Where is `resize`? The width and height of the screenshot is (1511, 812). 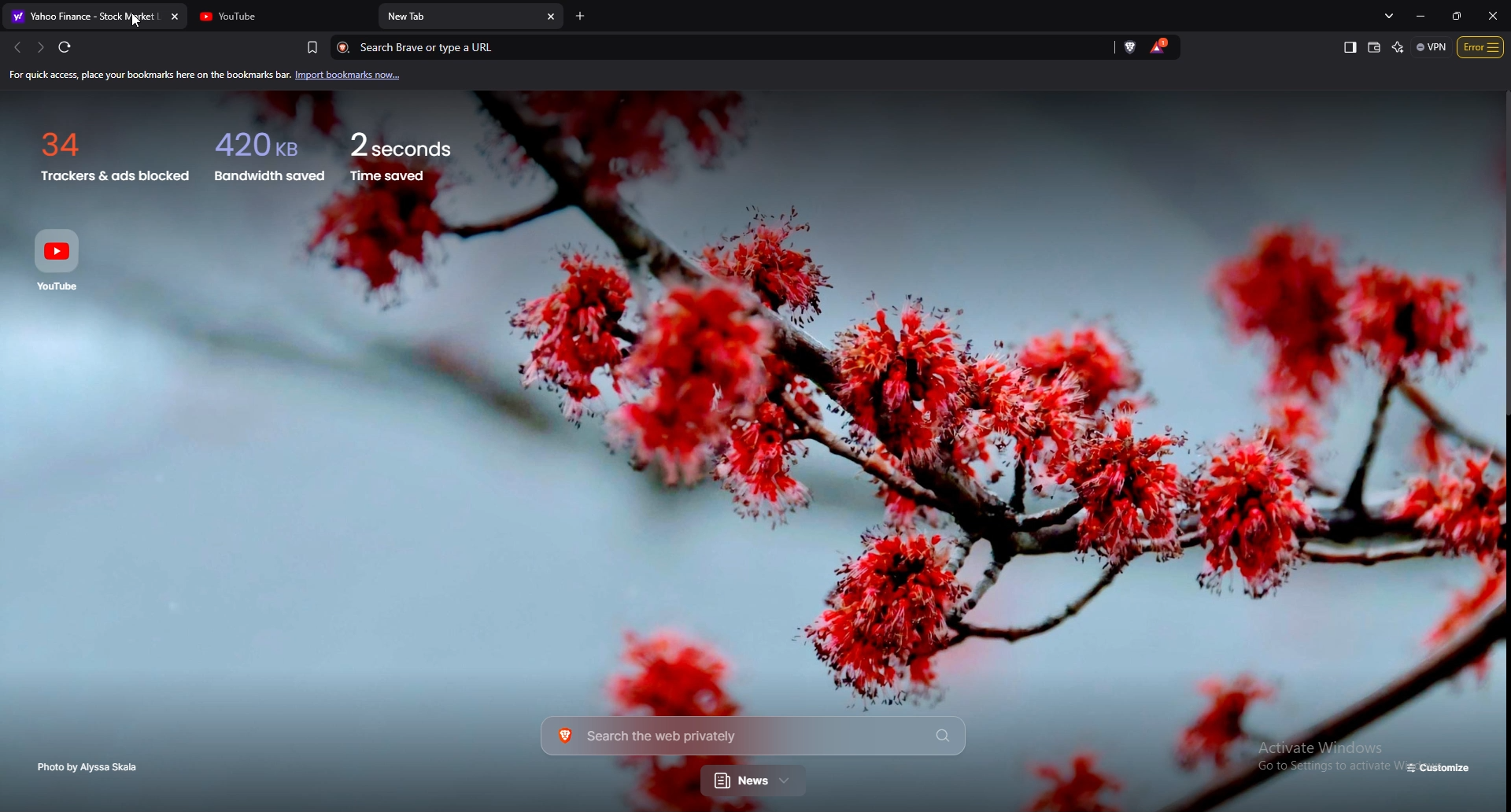 resize is located at coordinates (1455, 15).